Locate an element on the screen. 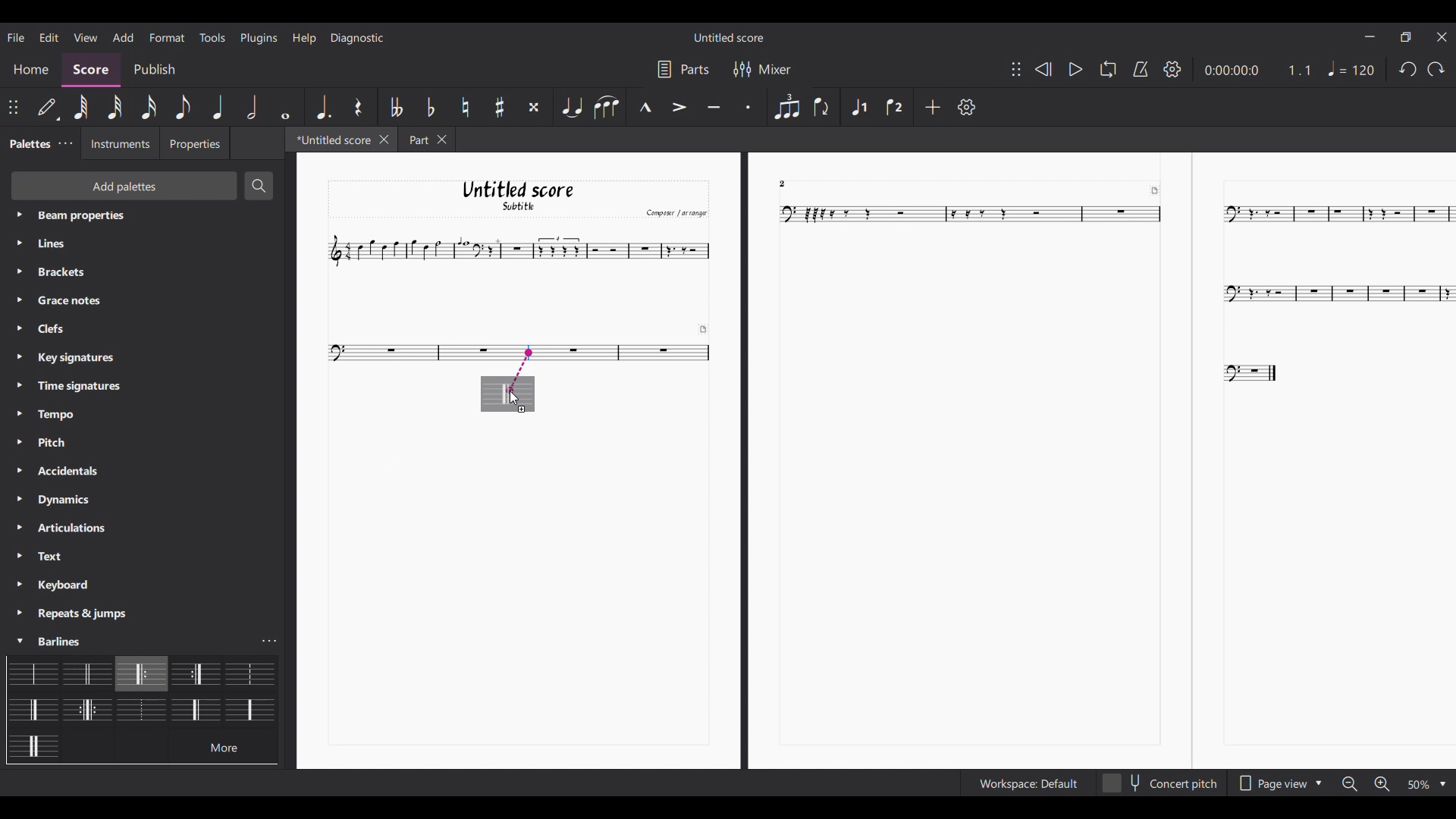 The image size is (1456, 819). Toggle double flat is located at coordinates (394, 106).